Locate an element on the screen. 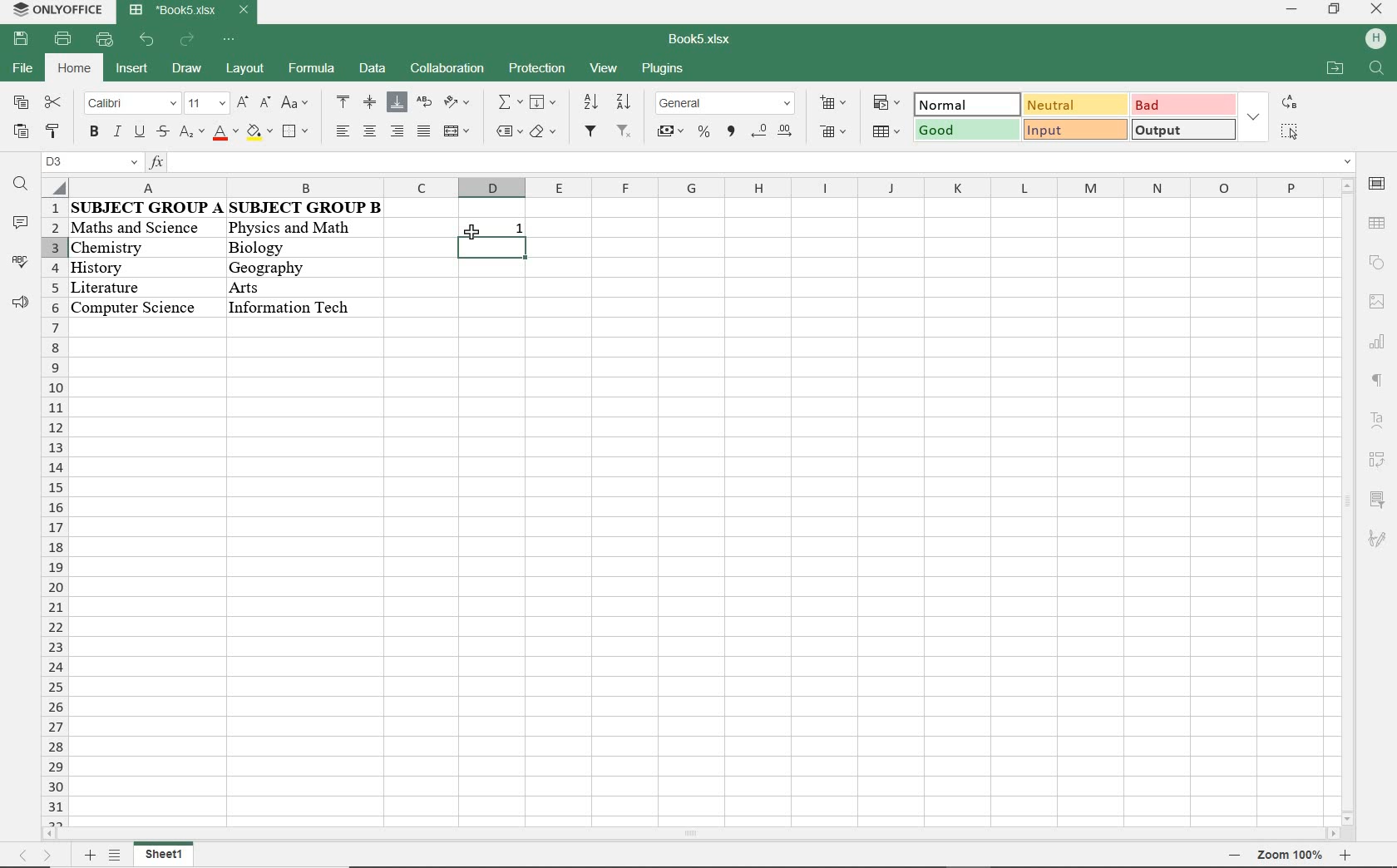  search is located at coordinates (1376, 72).